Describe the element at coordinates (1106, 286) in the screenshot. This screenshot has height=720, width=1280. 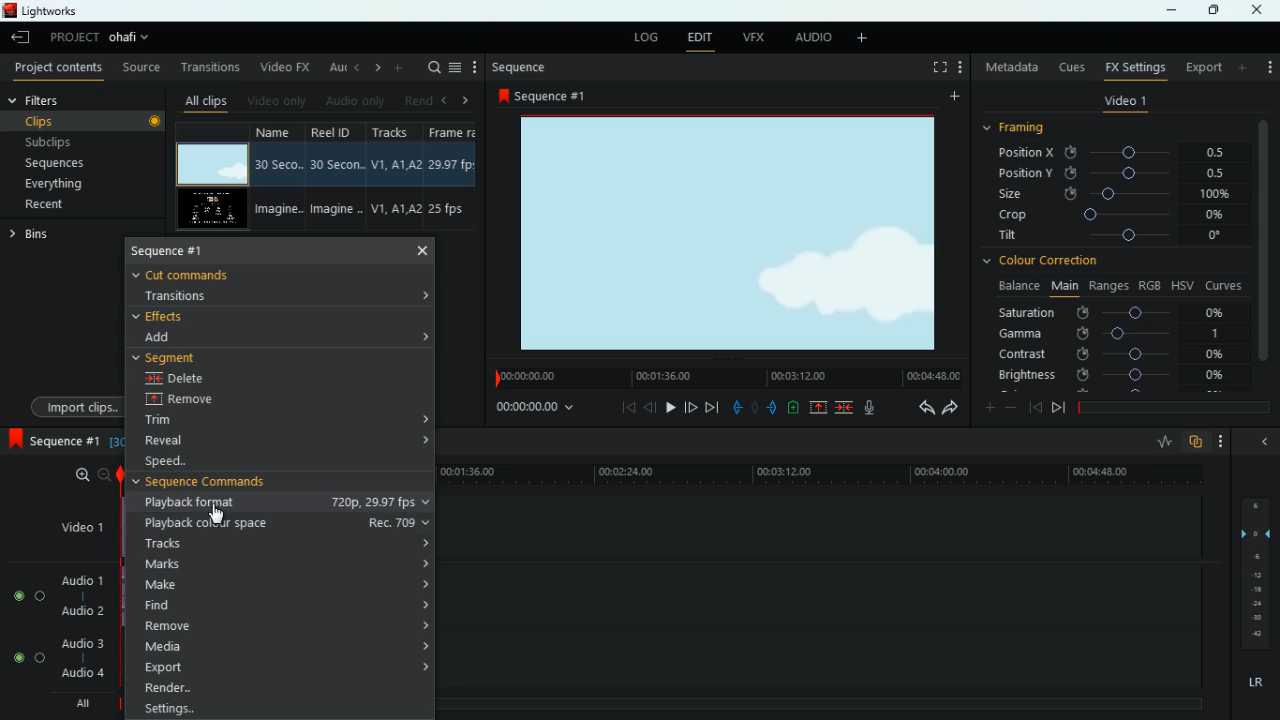
I see `ranges` at that location.